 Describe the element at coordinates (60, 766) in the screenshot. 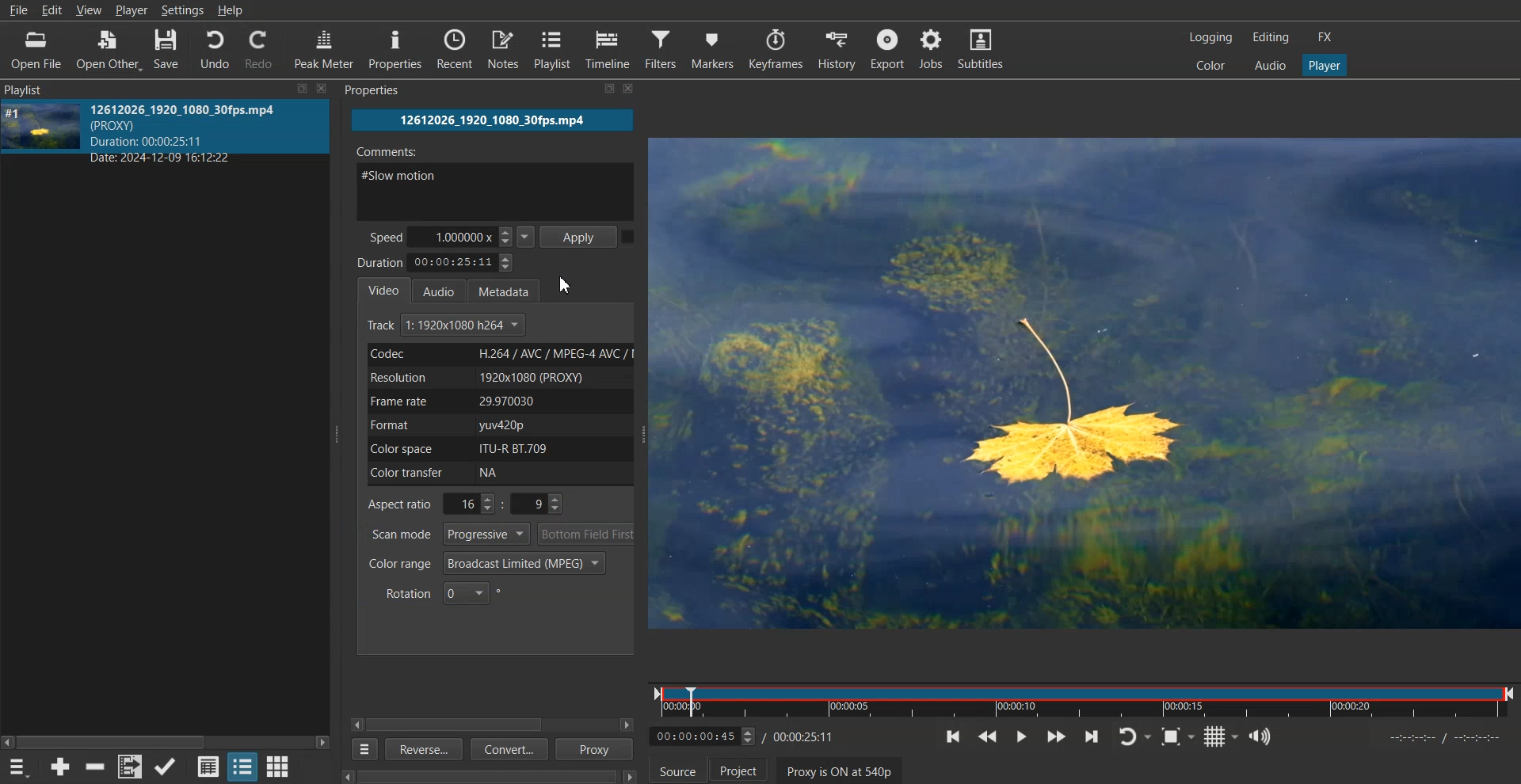

I see `Add source to the playlist` at that location.